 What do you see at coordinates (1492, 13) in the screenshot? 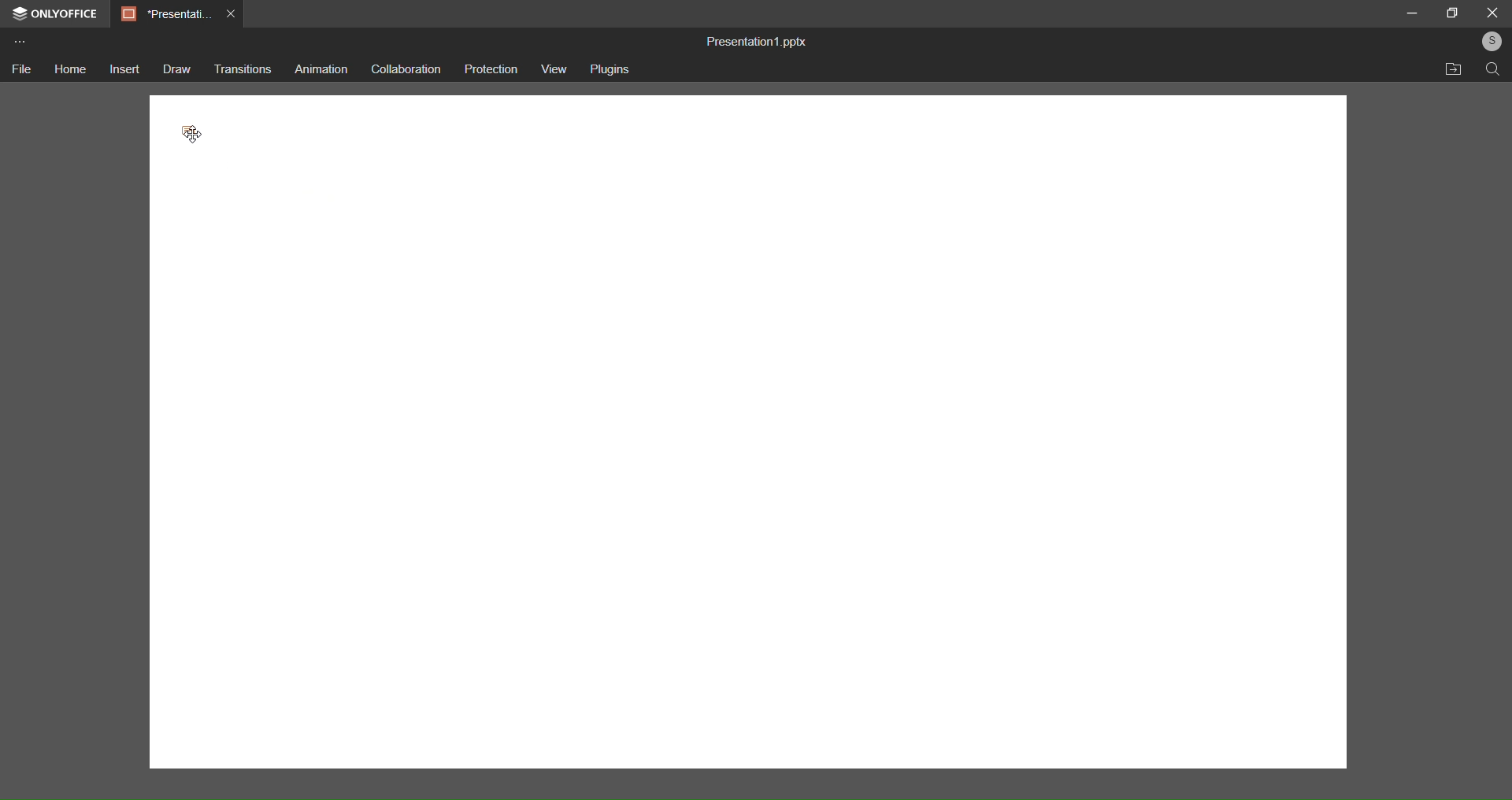
I see `close` at bounding box center [1492, 13].